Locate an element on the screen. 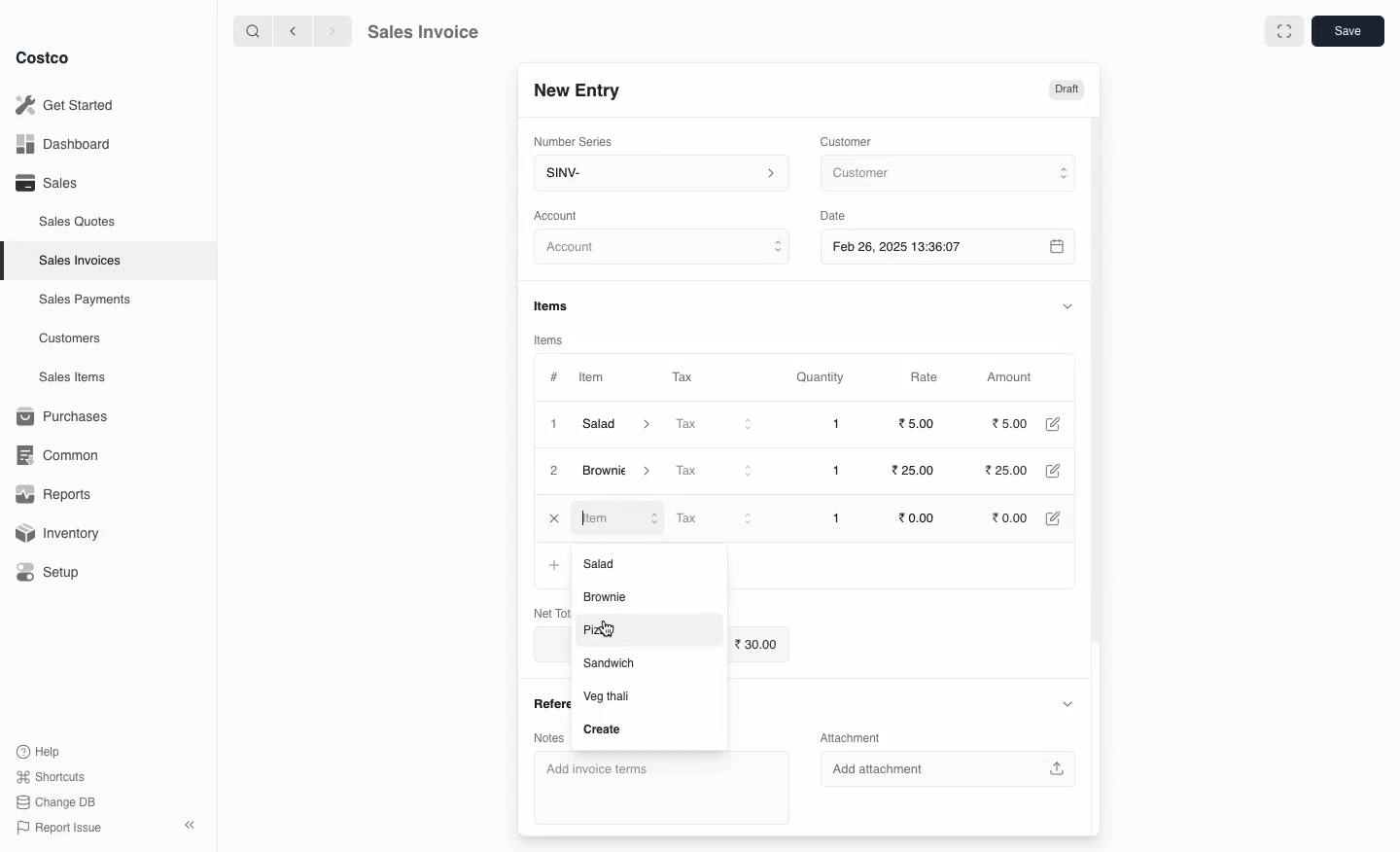 Image resolution: width=1400 pixels, height=852 pixels. Sales Quotes is located at coordinates (80, 221).